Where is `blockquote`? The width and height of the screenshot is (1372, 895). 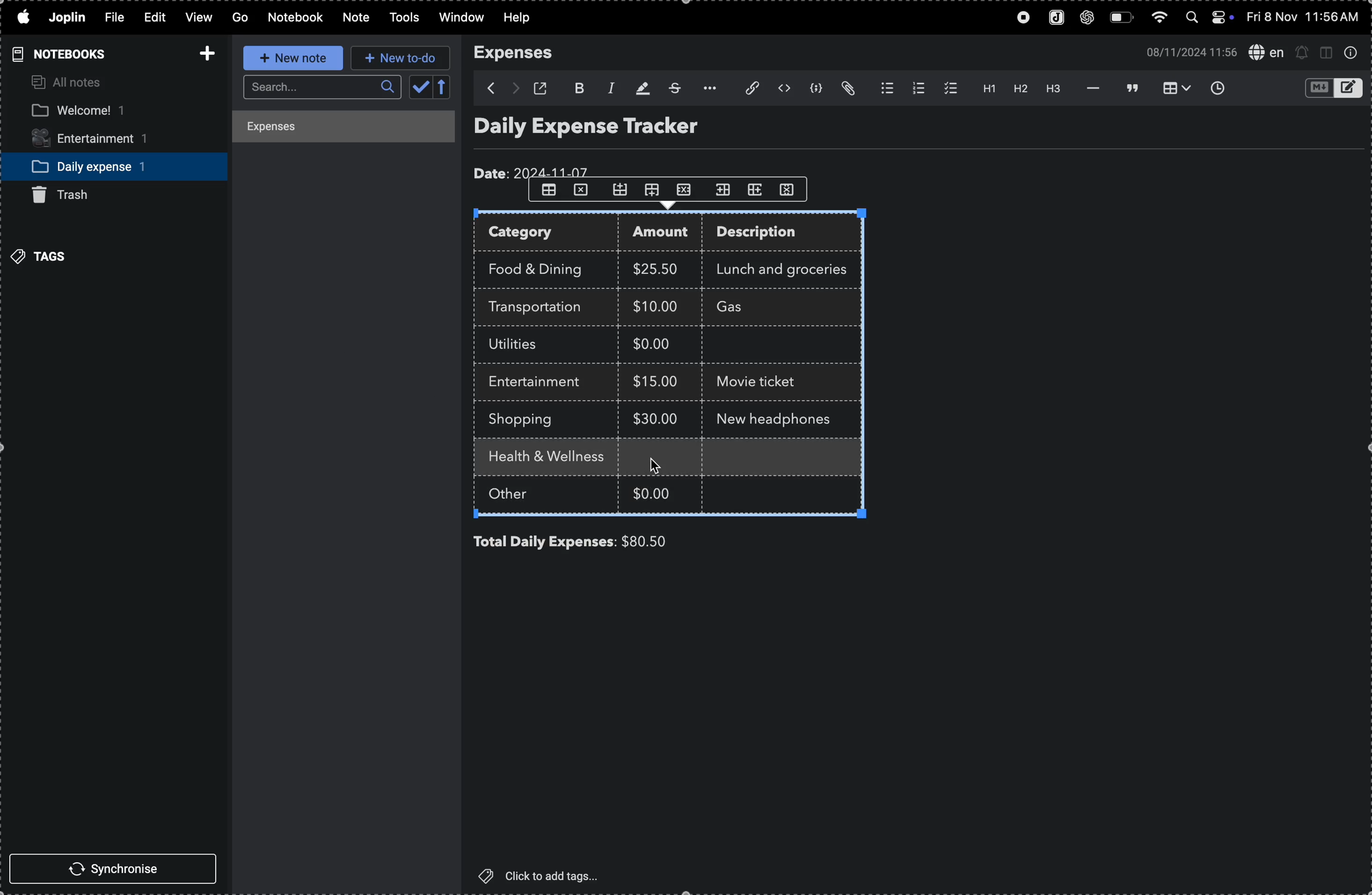
blockquote is located at coordinates (1129, 88).